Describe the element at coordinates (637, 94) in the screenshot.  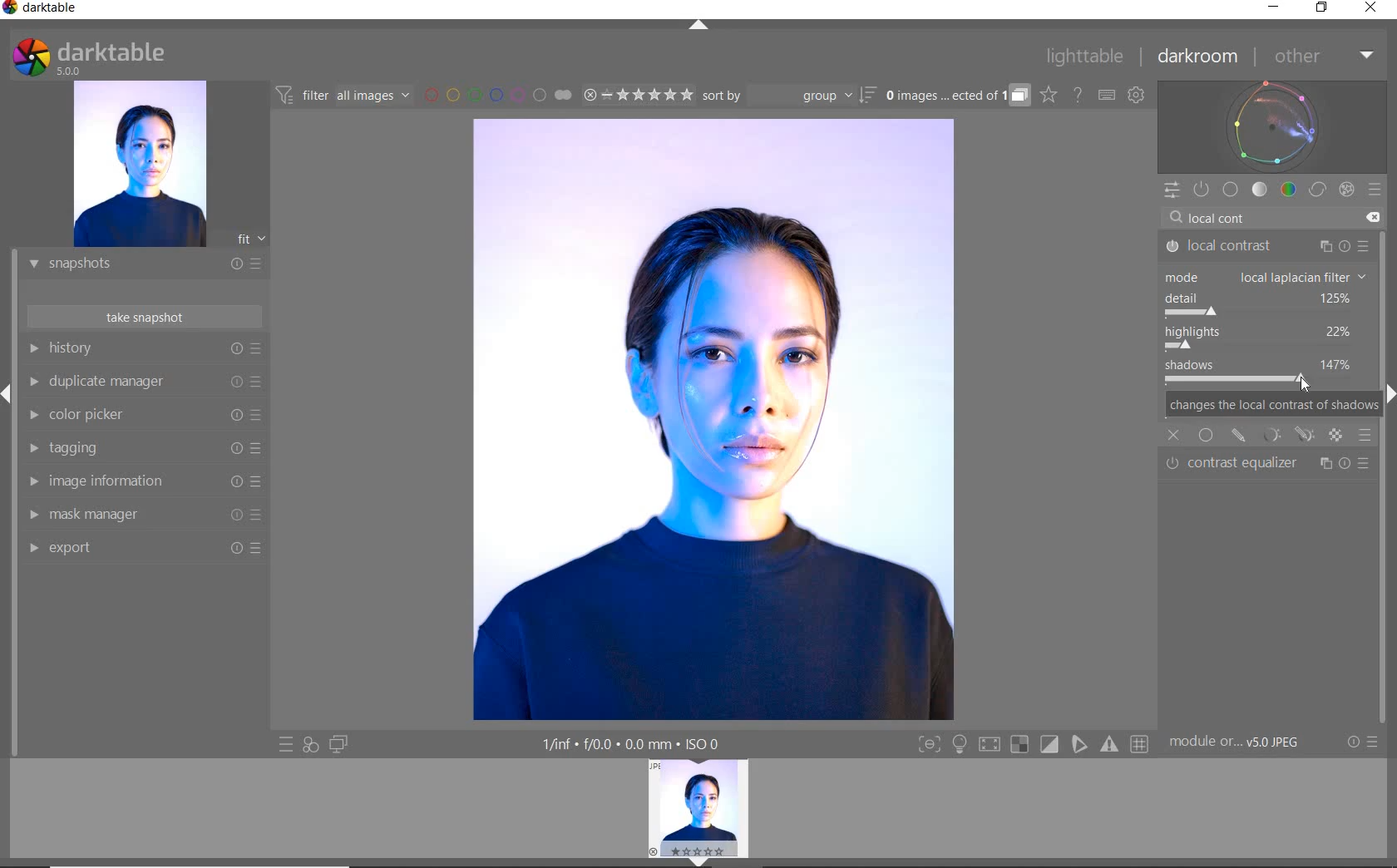
I see `RANGE RATING OF SELECTED IMAGES` at that location.